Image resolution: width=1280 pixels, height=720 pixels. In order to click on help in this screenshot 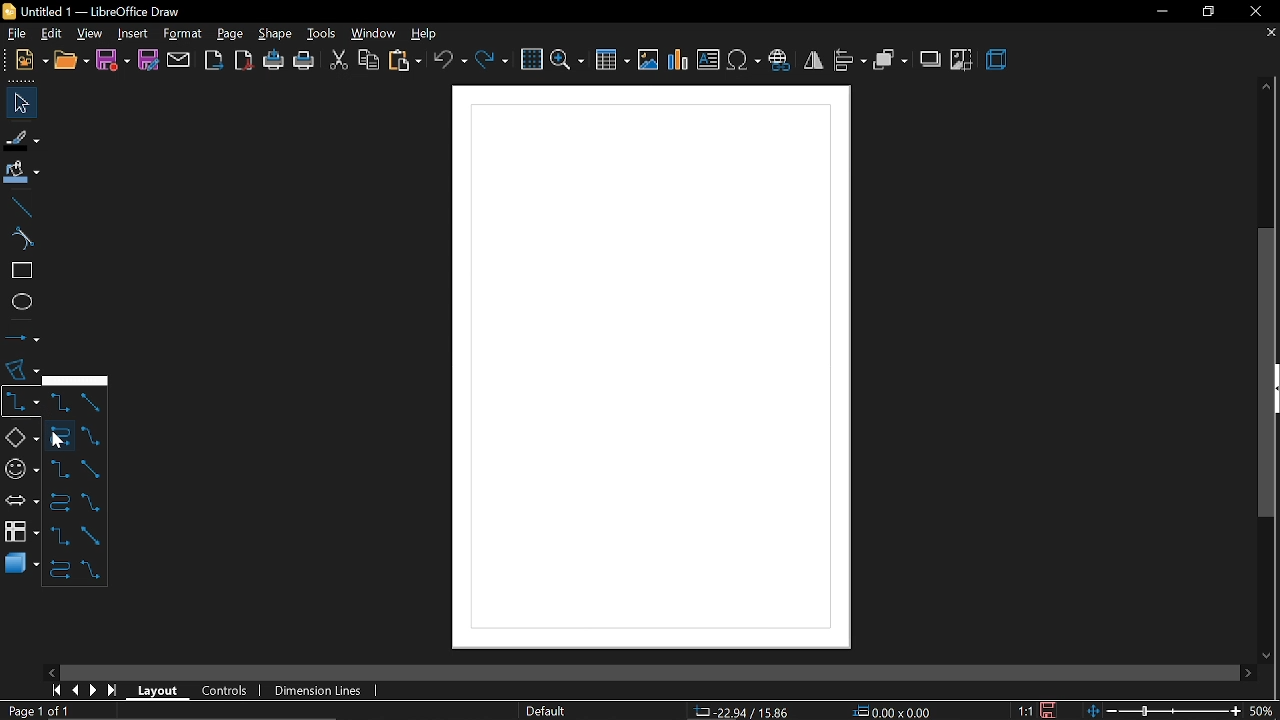, I will do `click(424, 33)`.